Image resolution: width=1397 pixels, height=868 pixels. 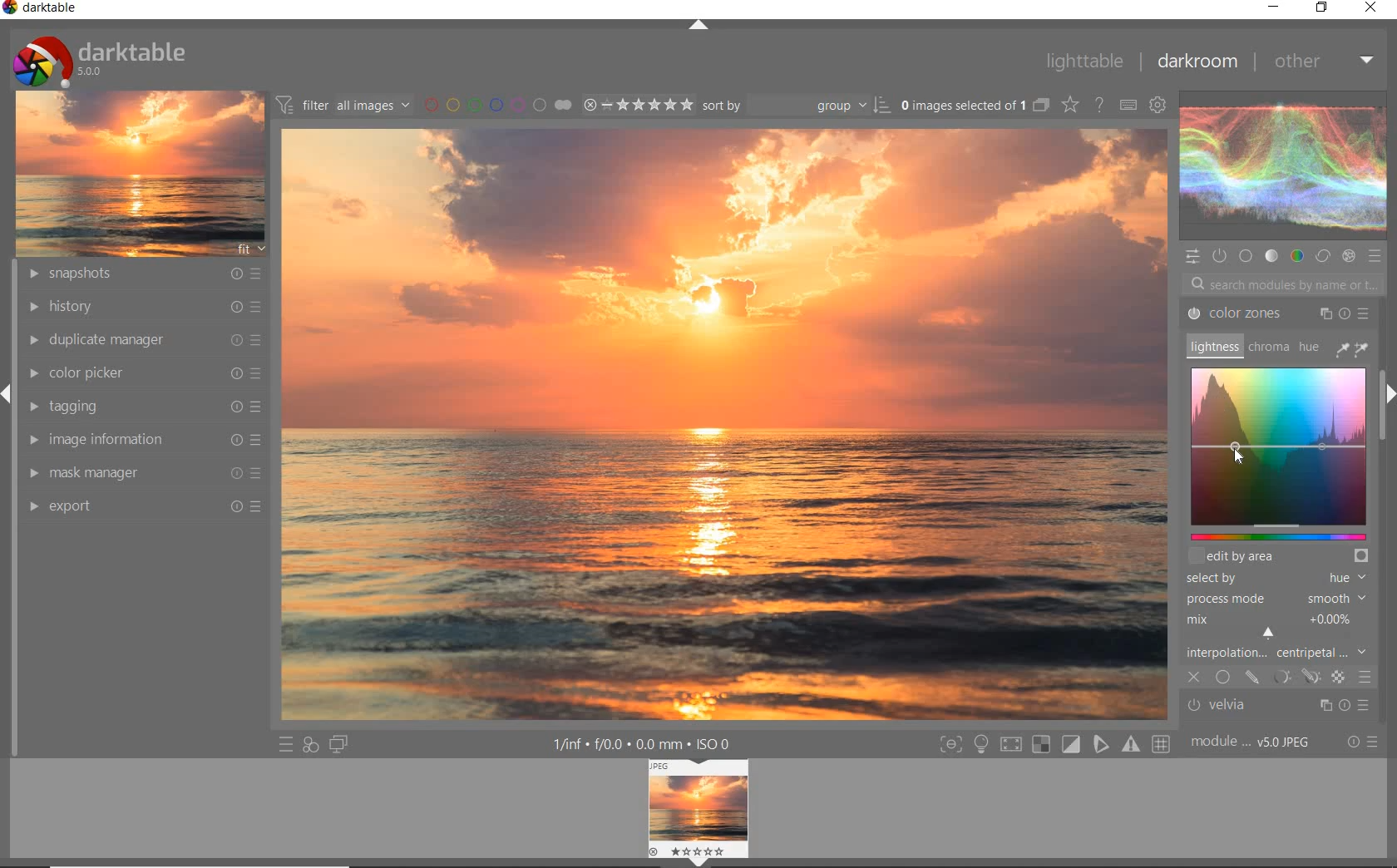 I want to click on FITER IMAGES, so click(x=343, y=104).